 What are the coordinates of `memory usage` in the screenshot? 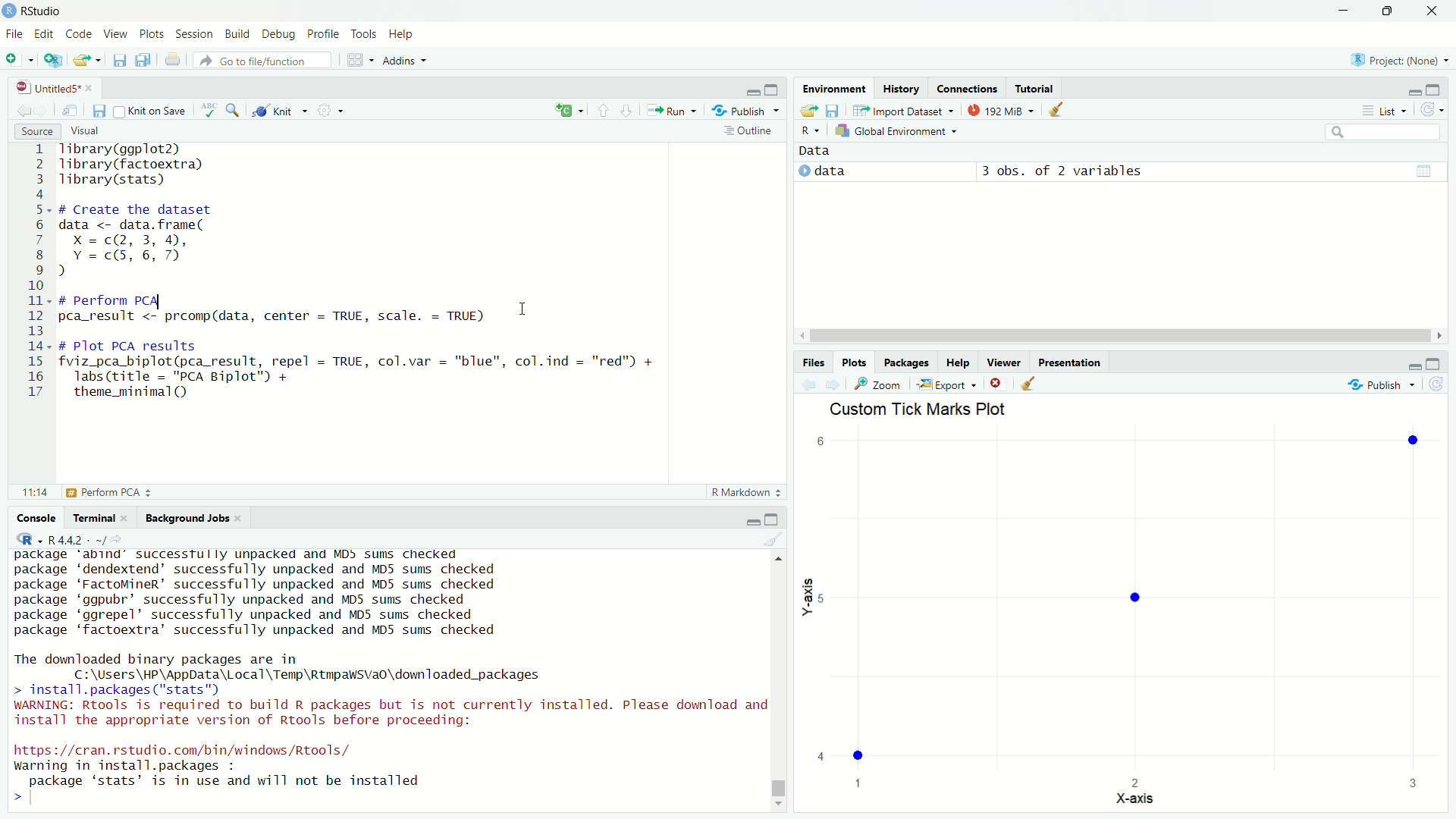 It's located at (1001, 109).